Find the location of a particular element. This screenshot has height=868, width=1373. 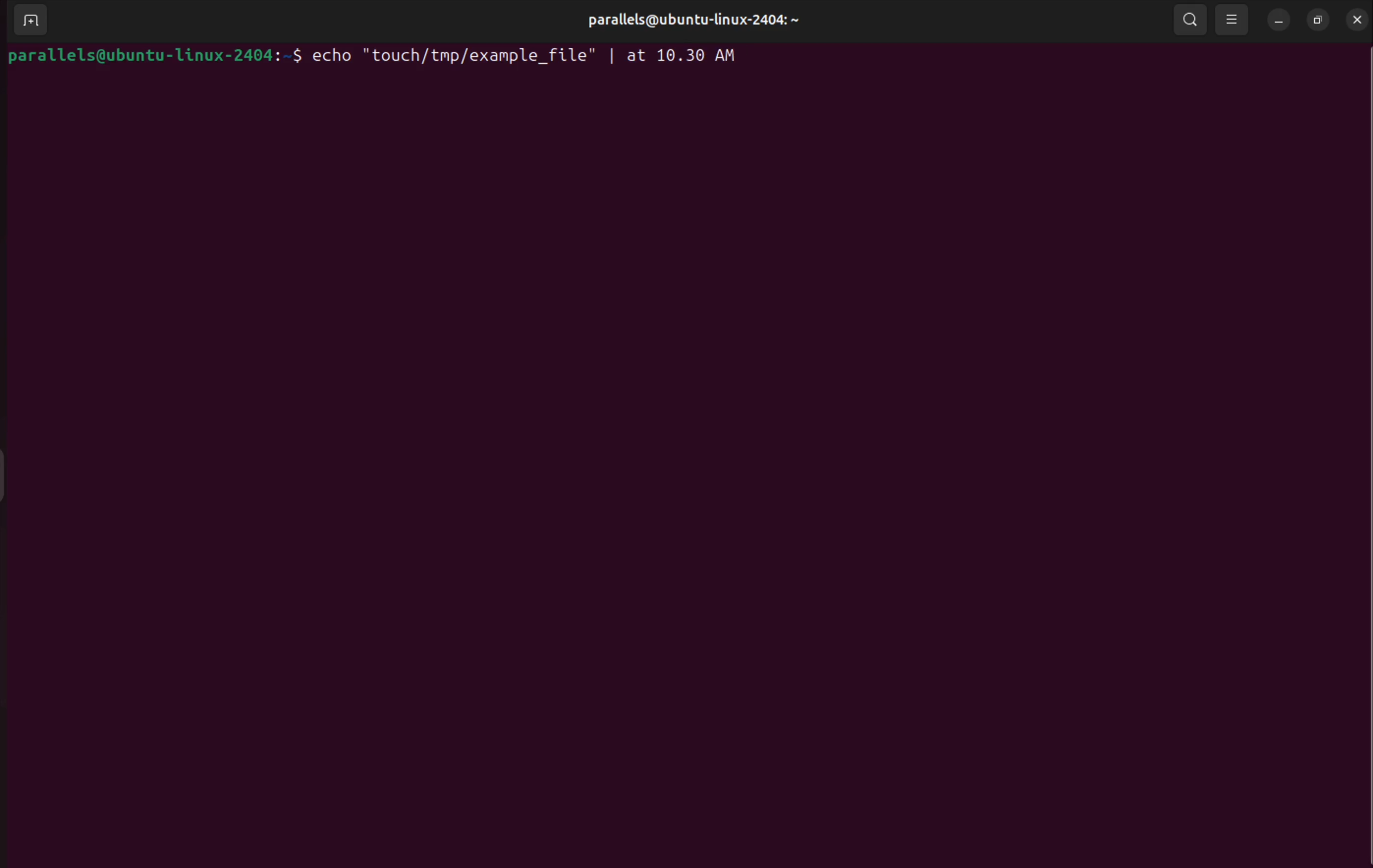

bash prompt is located at coordinates (153, 56).